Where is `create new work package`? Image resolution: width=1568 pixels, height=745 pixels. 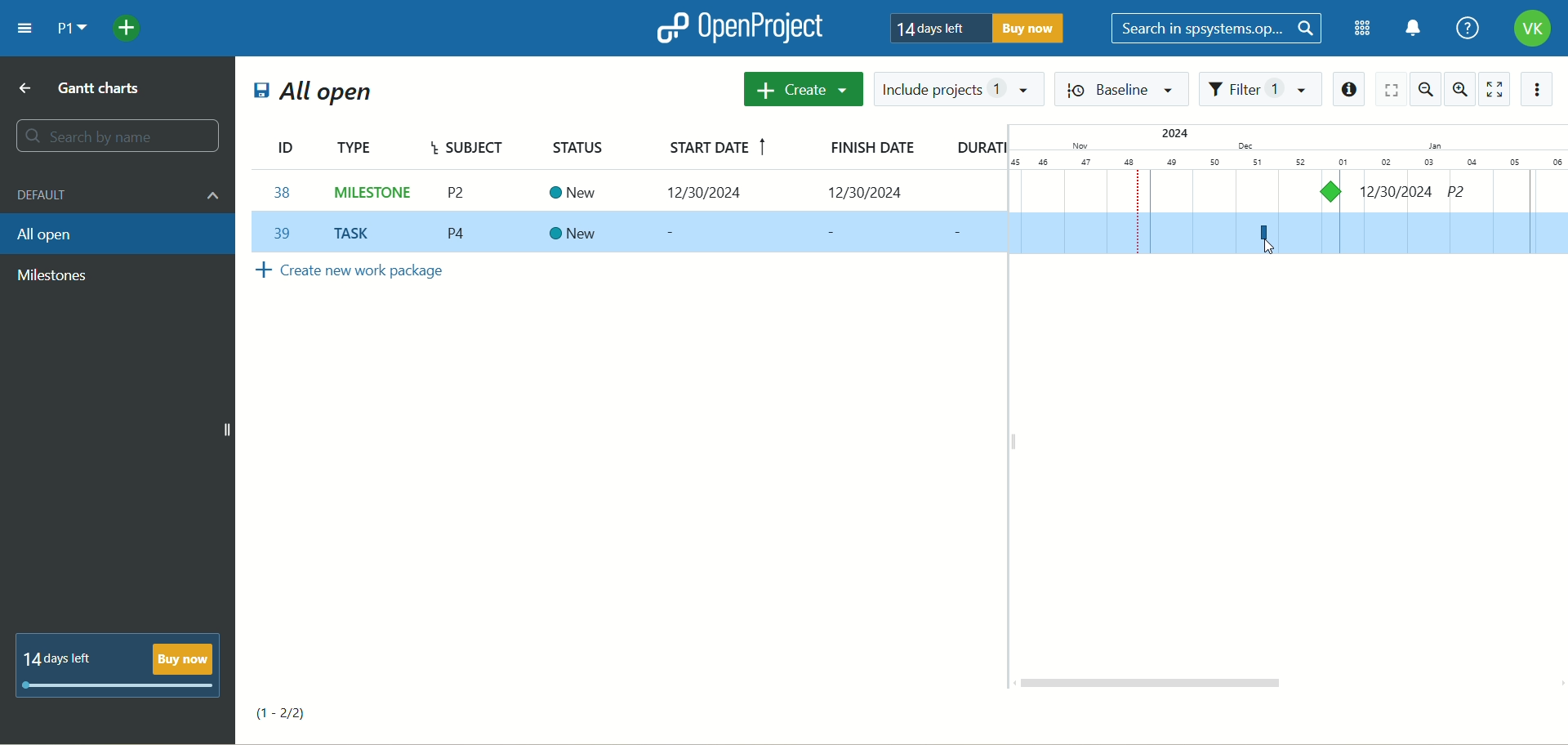 create new work package is located at coordinates (370, 278).